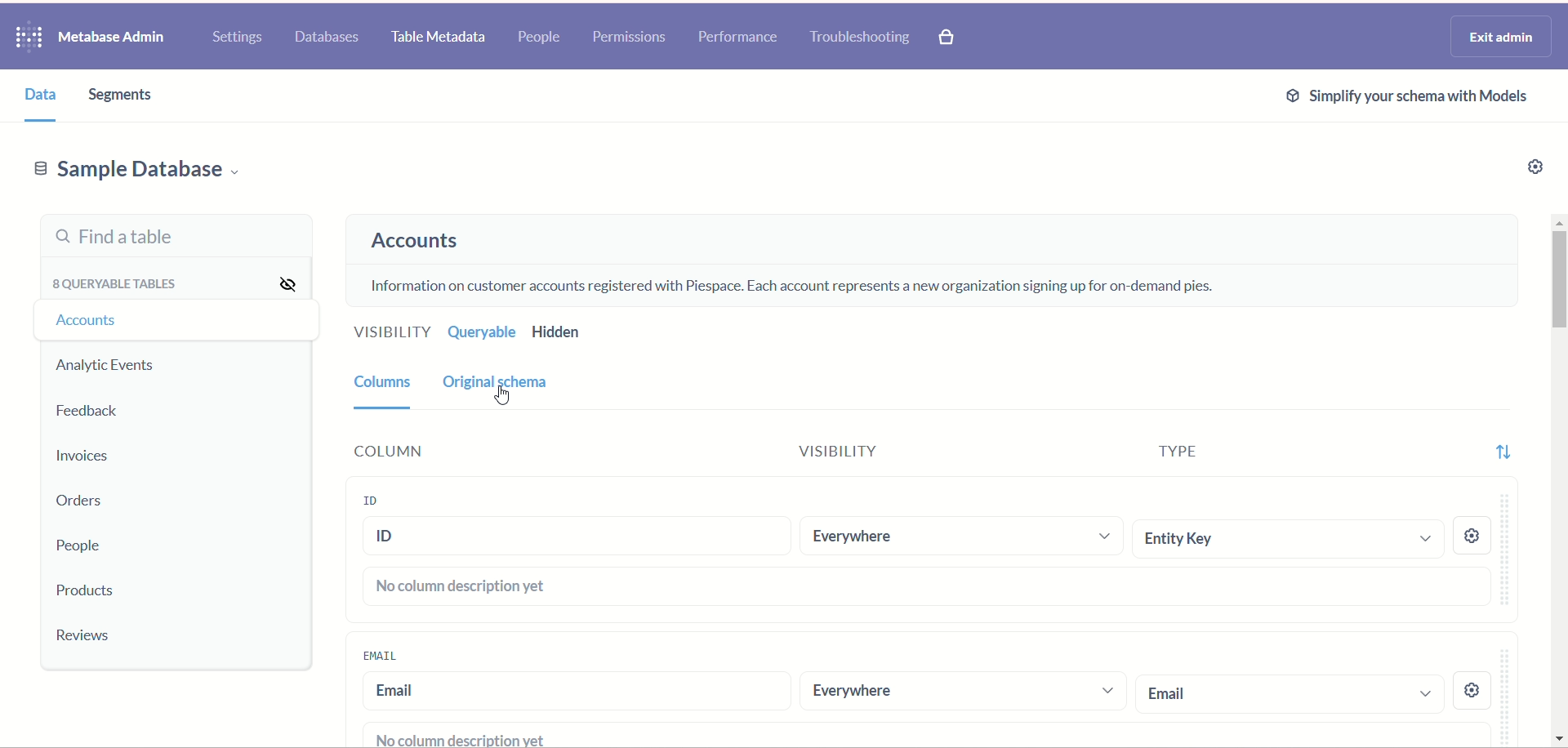 The height and width of the screenshot is (748, 1568). I want to click on email, so click(575, 692).